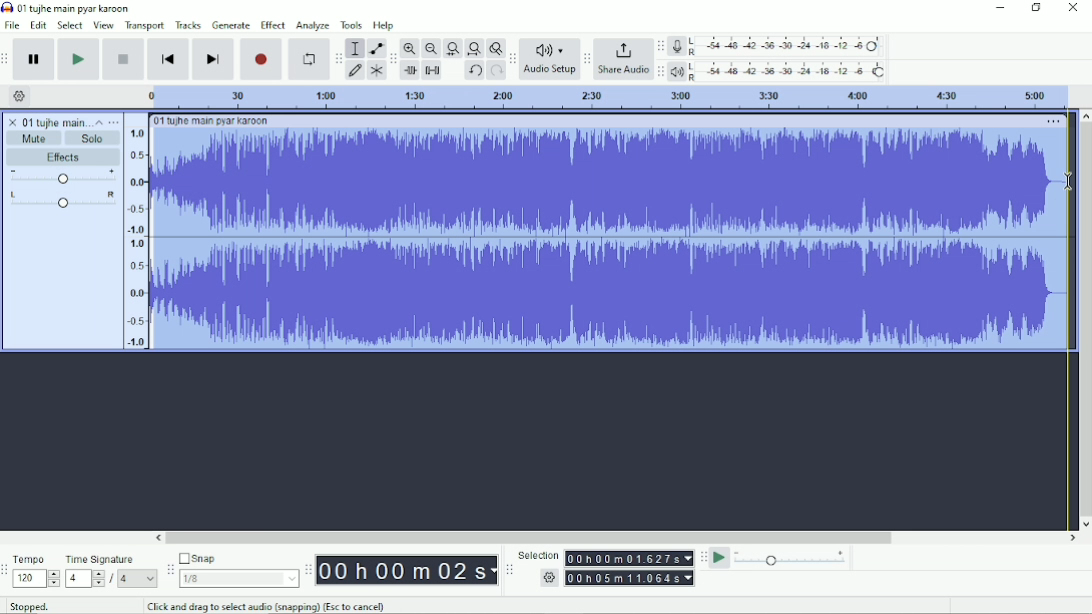 This screenshot has height=614, width=1092. What do you see at coordinates (31, 558) in the screenshot?
I see `Tempo` at bounding box center [31, 558].